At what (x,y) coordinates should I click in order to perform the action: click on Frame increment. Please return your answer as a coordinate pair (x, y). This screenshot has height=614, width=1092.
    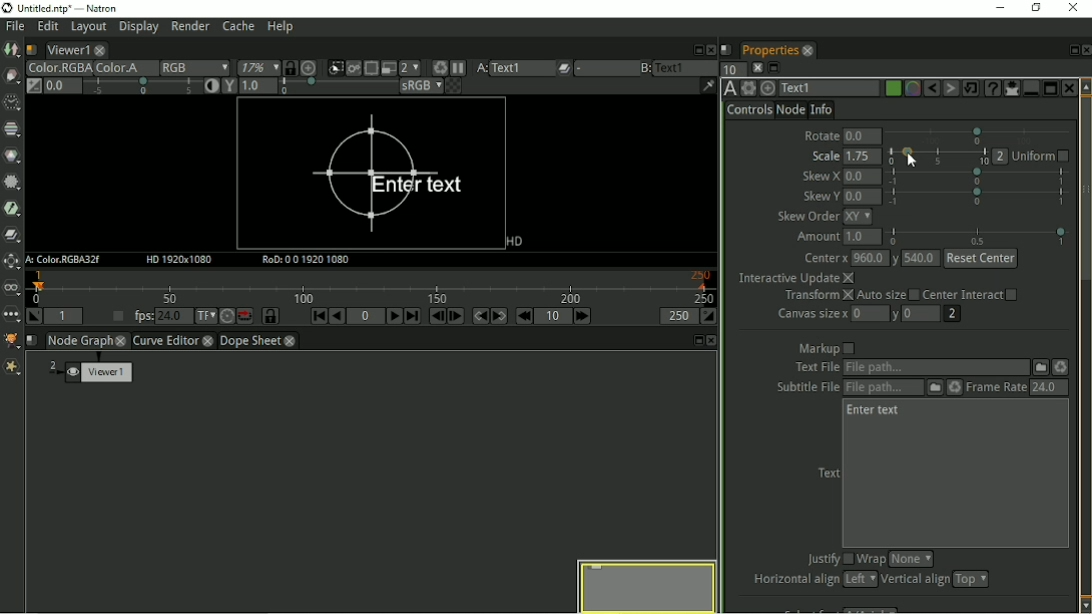
    Looking at the image, I should click on (553, 316).